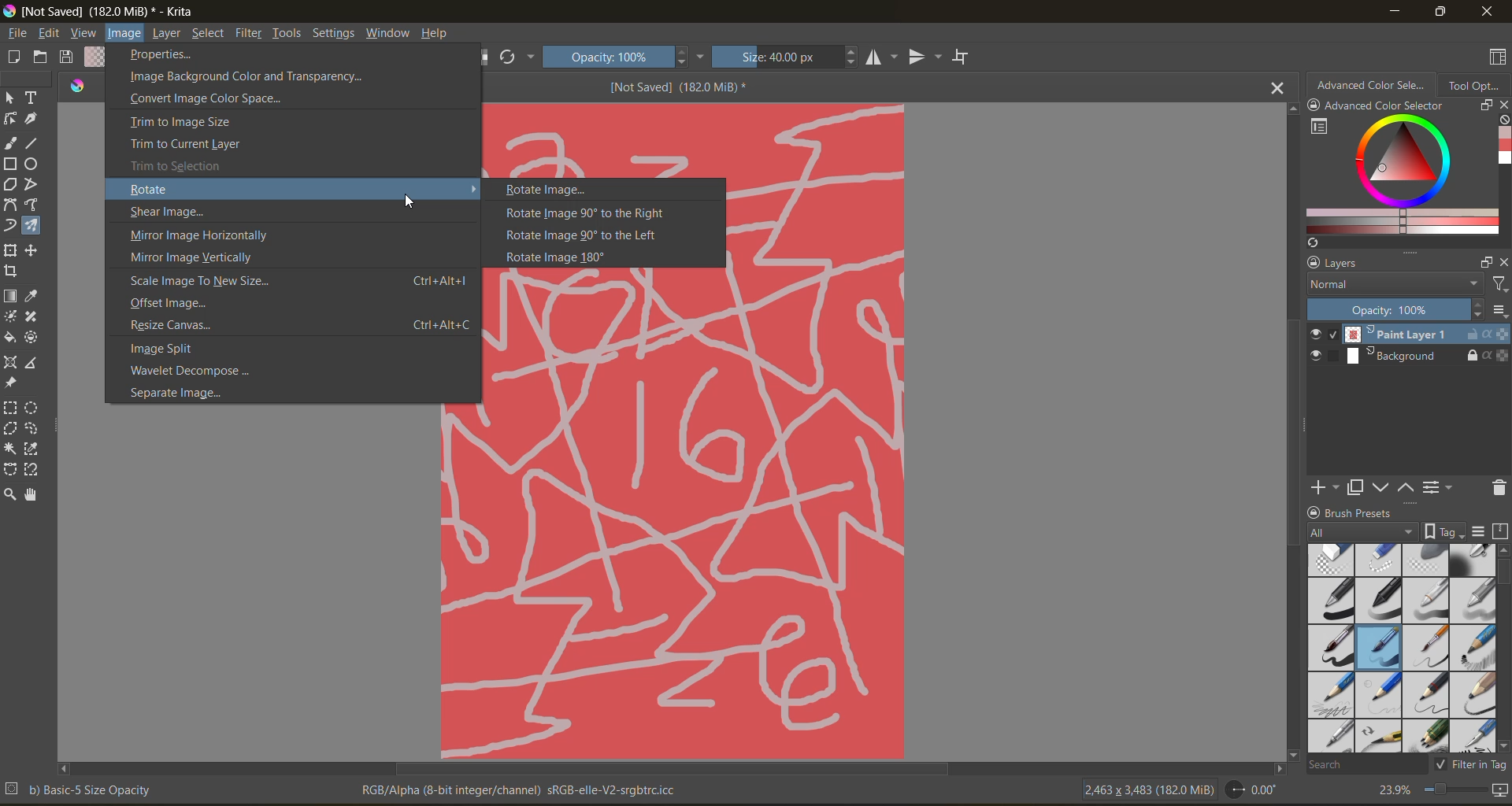 Image resolution: width=1512 pixels, height=806 pixels. What do you see at coordinates (161, 55) in the screenshot?
I see `properties` at bounding box center [161, 55].